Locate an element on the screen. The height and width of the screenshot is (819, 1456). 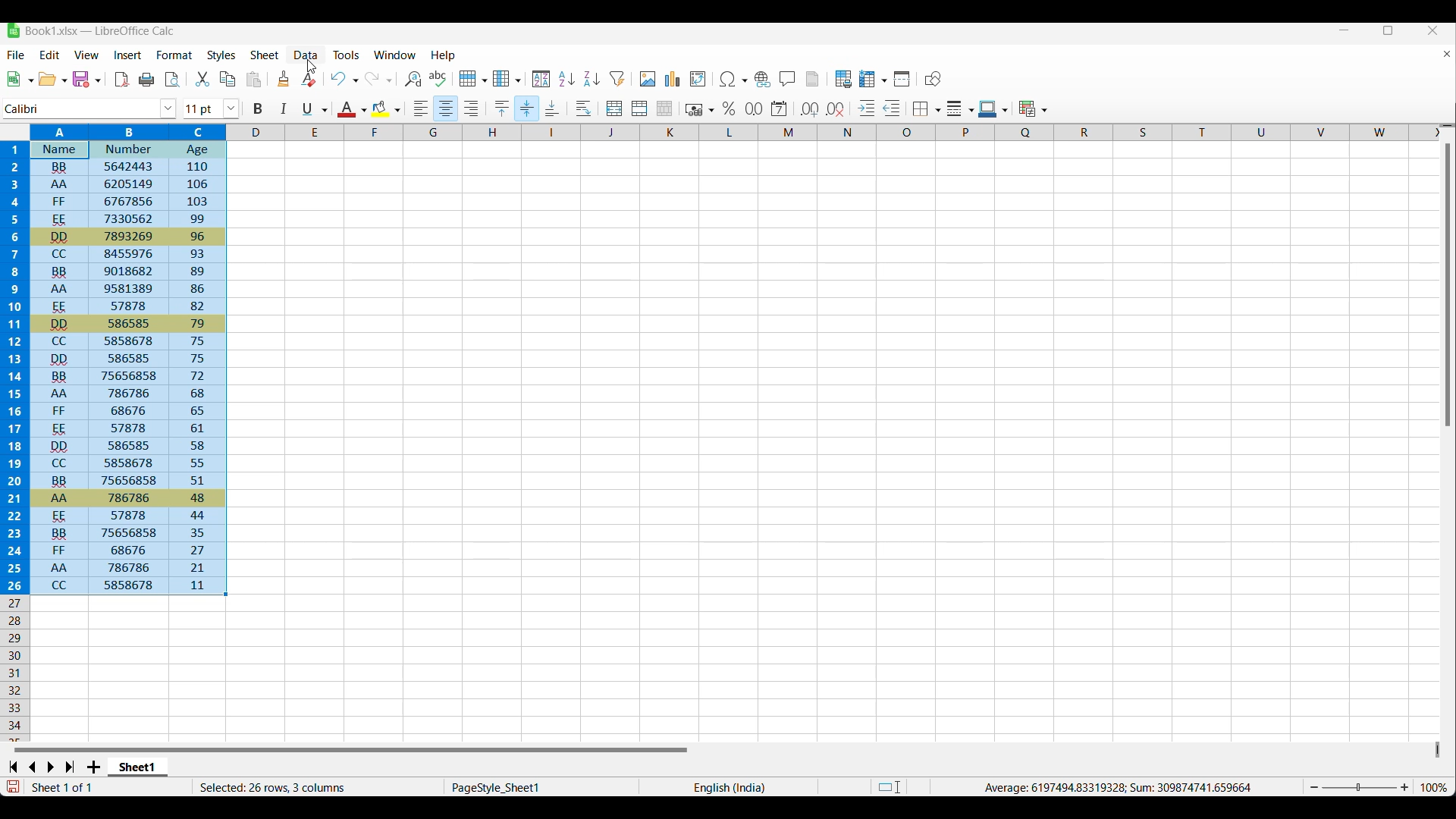
Average and Sum is located at coordinates (1116, 787).